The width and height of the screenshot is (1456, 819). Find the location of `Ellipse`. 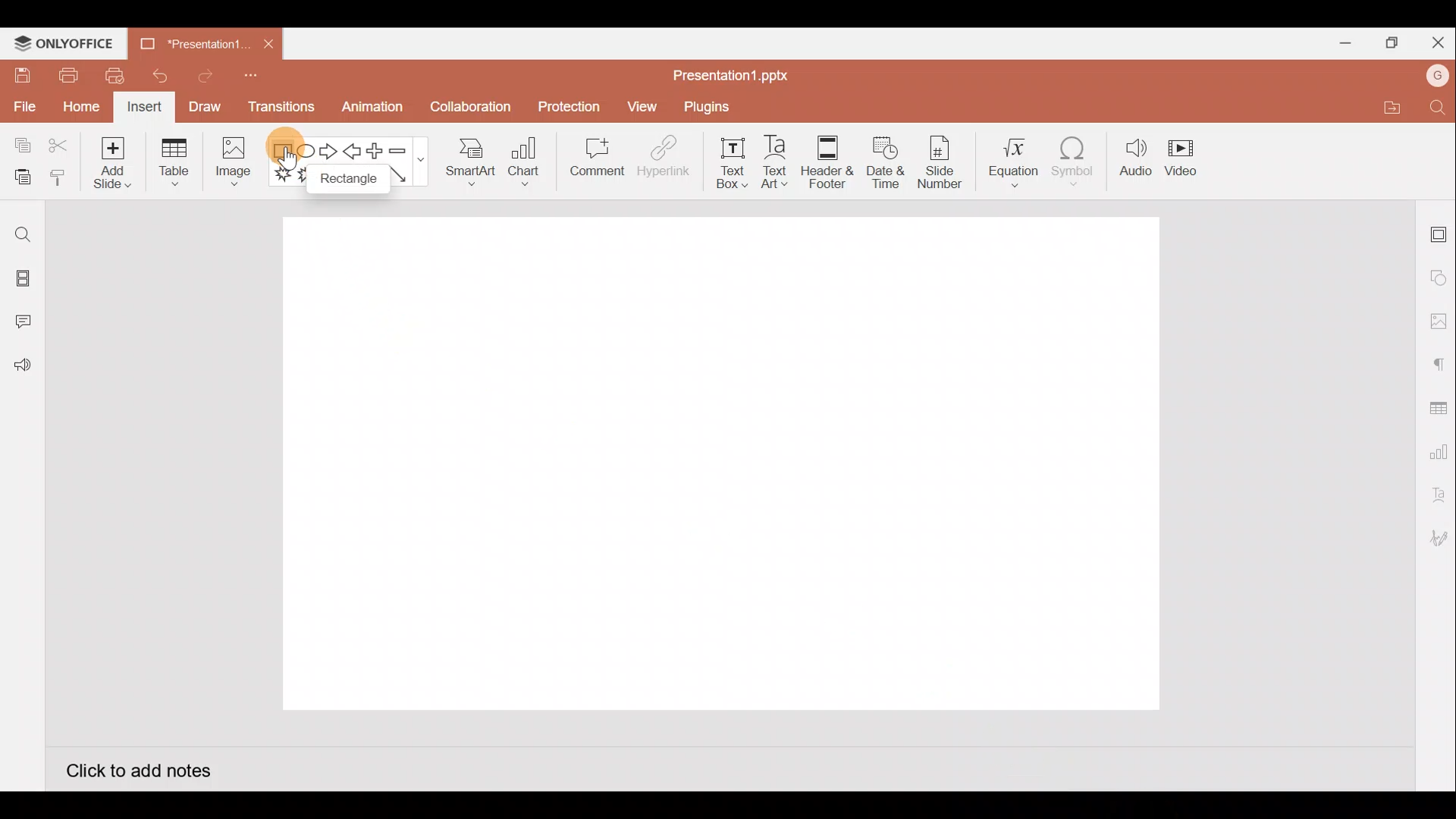

Ellipse is located at coordinates (308, 154).